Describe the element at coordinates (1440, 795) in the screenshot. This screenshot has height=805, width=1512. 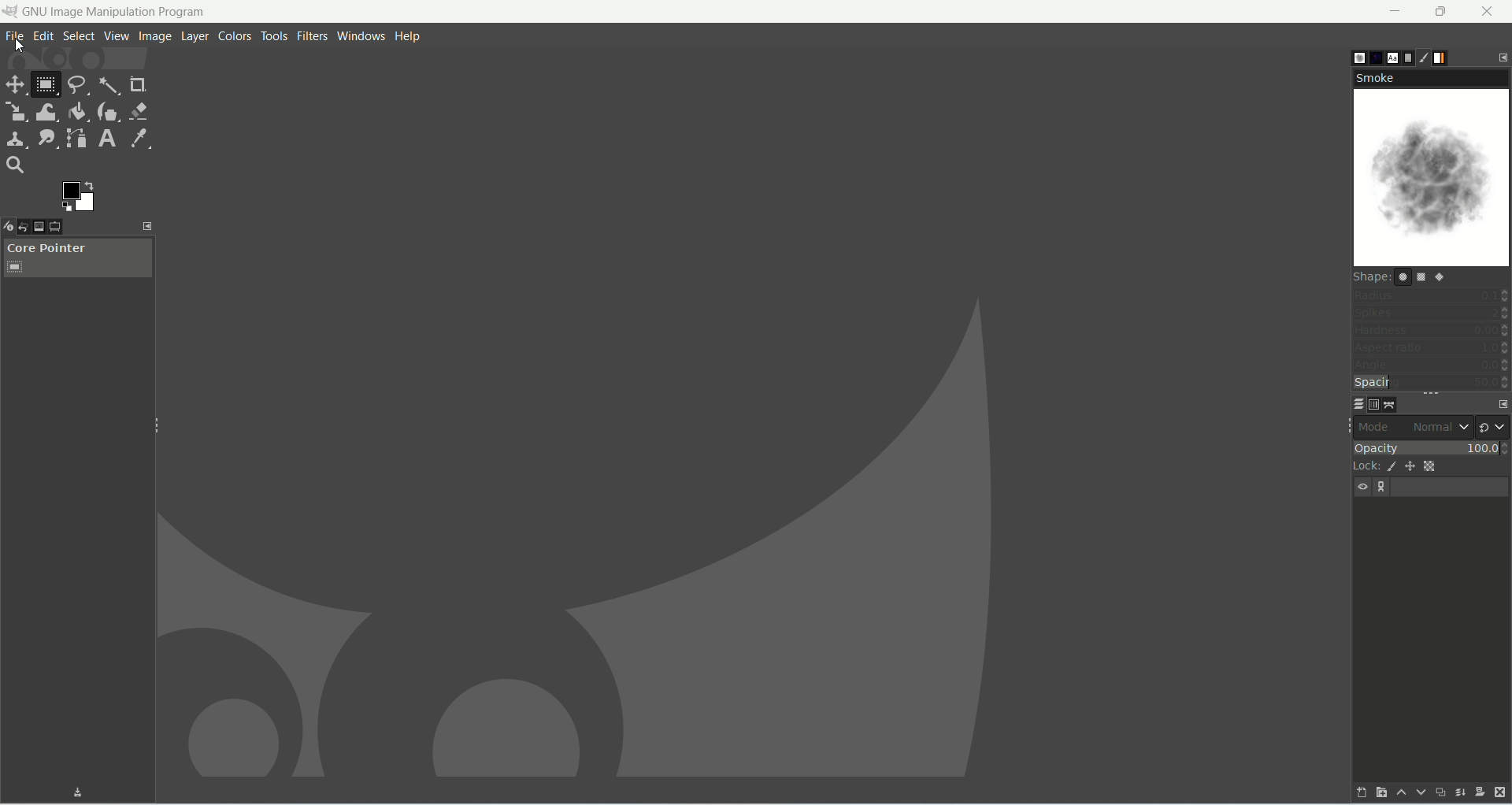
I see `create a duplicate` at that location.